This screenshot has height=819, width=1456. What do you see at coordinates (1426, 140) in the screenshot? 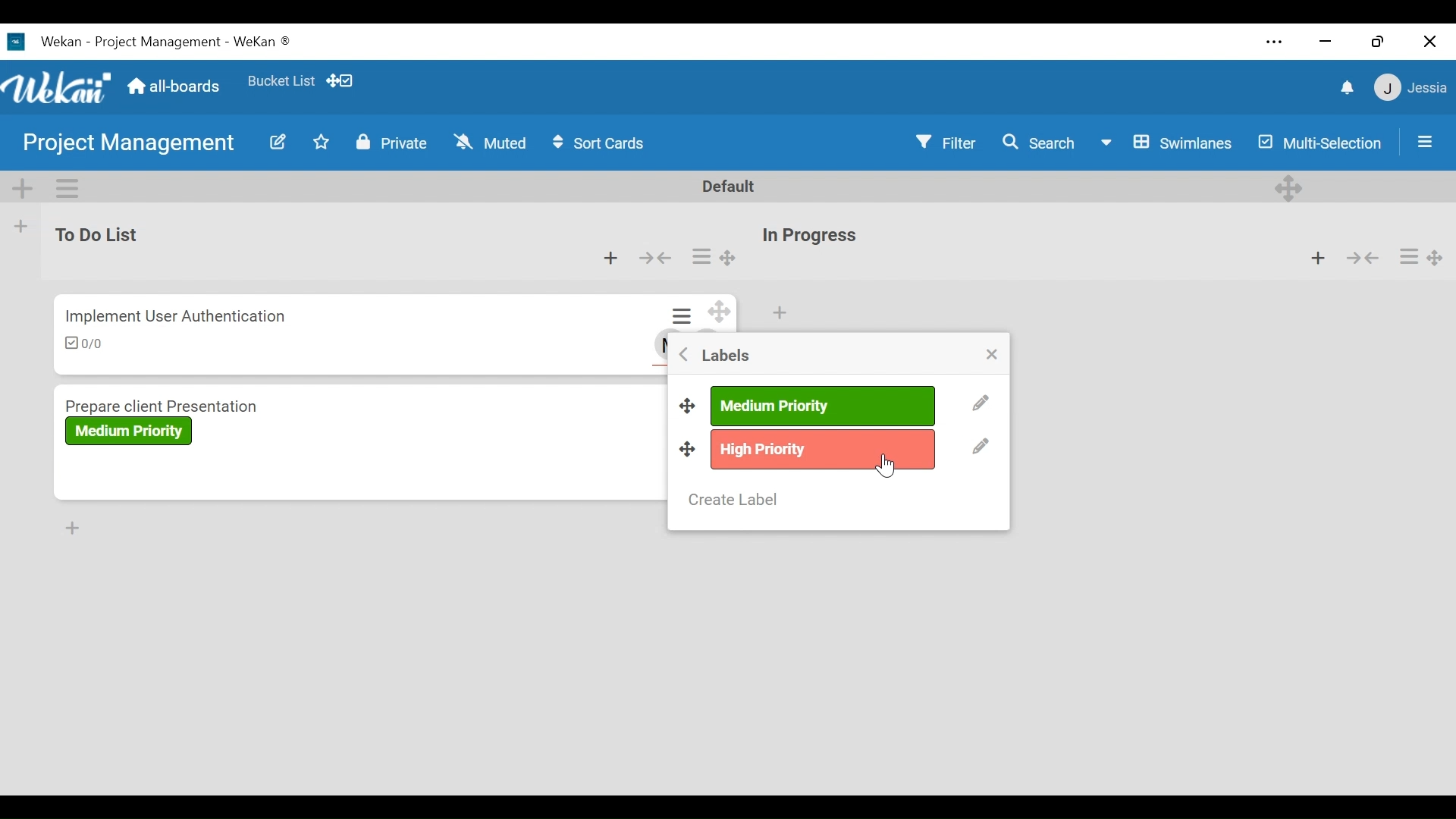
I see `Show/Hide Sidepane` at bounding box center [1426, 140].